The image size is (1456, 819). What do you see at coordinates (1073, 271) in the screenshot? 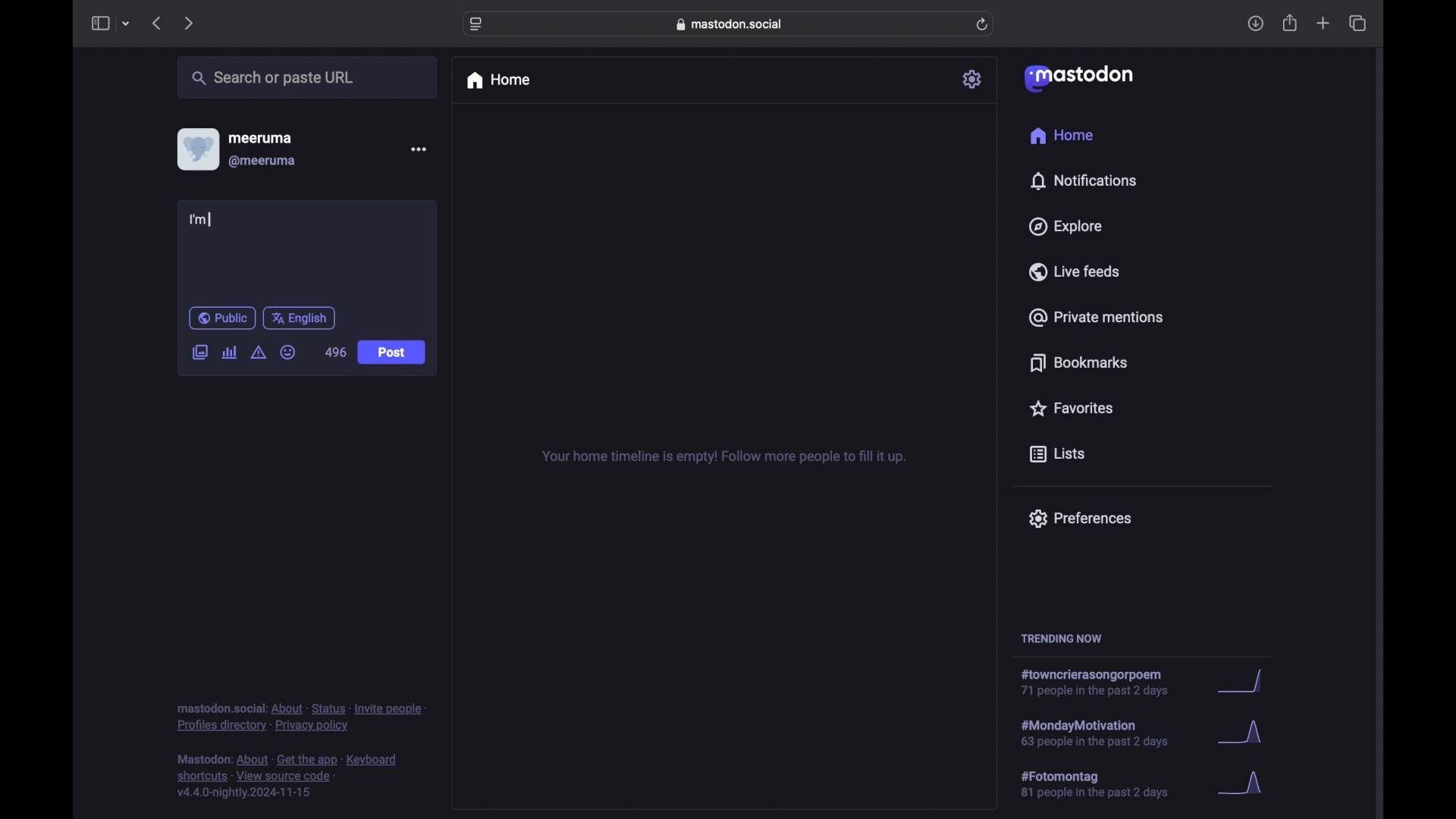
I see `live feeds` at bounding box center [1073, 271].